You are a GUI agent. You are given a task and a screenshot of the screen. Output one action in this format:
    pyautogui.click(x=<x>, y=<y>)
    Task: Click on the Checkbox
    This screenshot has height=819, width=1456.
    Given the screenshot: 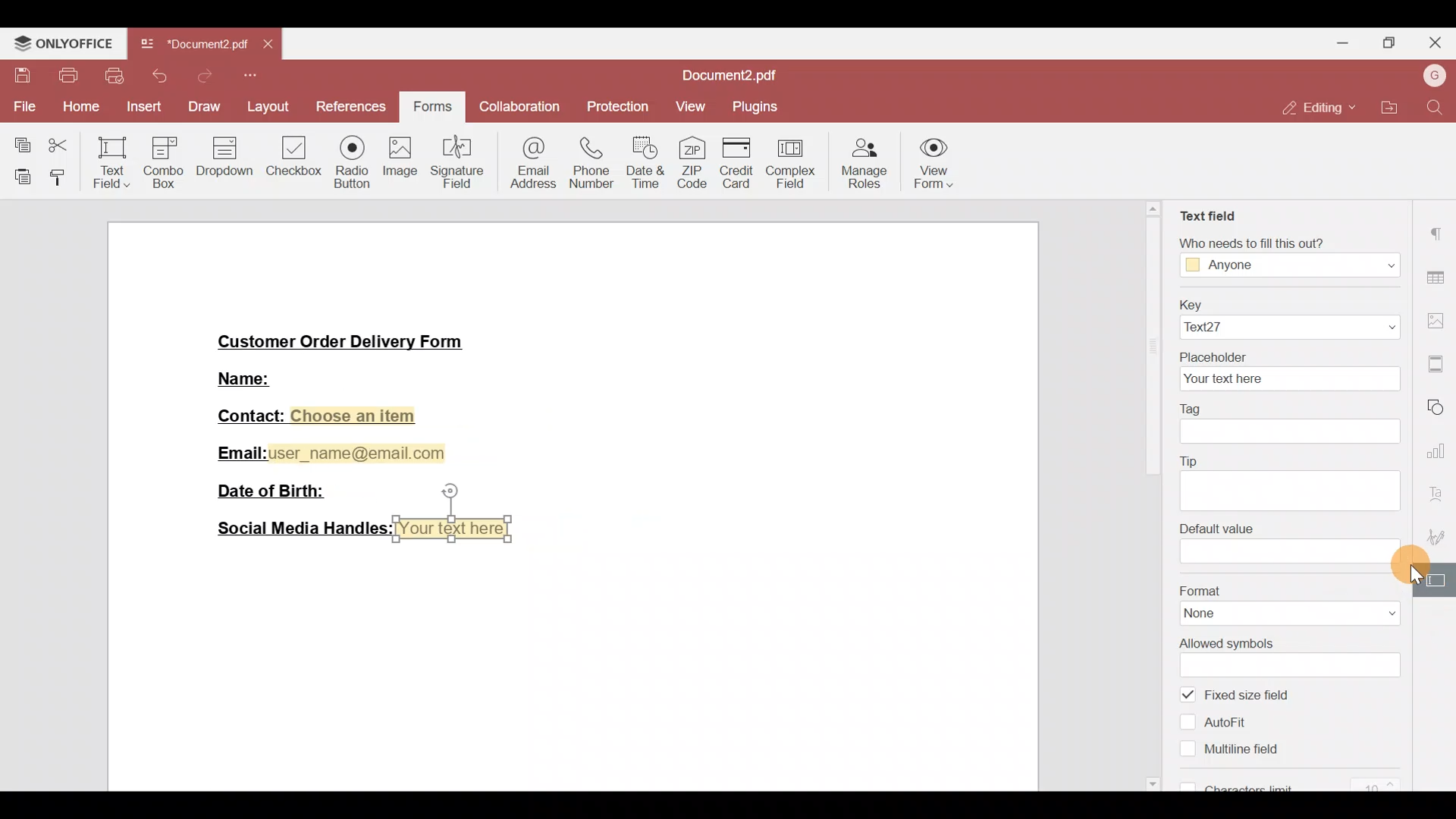 What is the action you would take?
    pyautogui.click(x=292, y=155)
    